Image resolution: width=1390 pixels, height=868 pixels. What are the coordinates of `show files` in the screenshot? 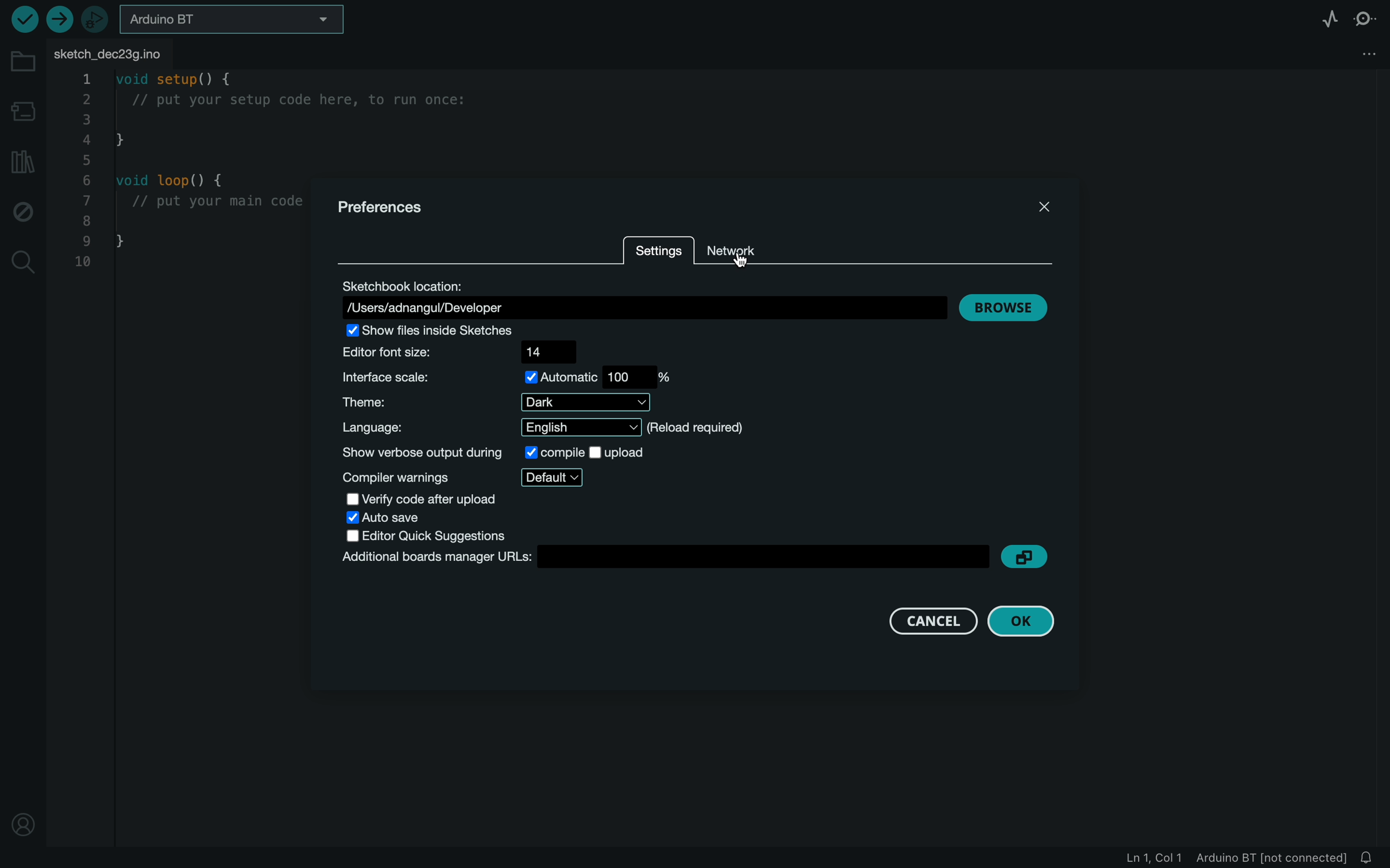 It's located at (440, 329).